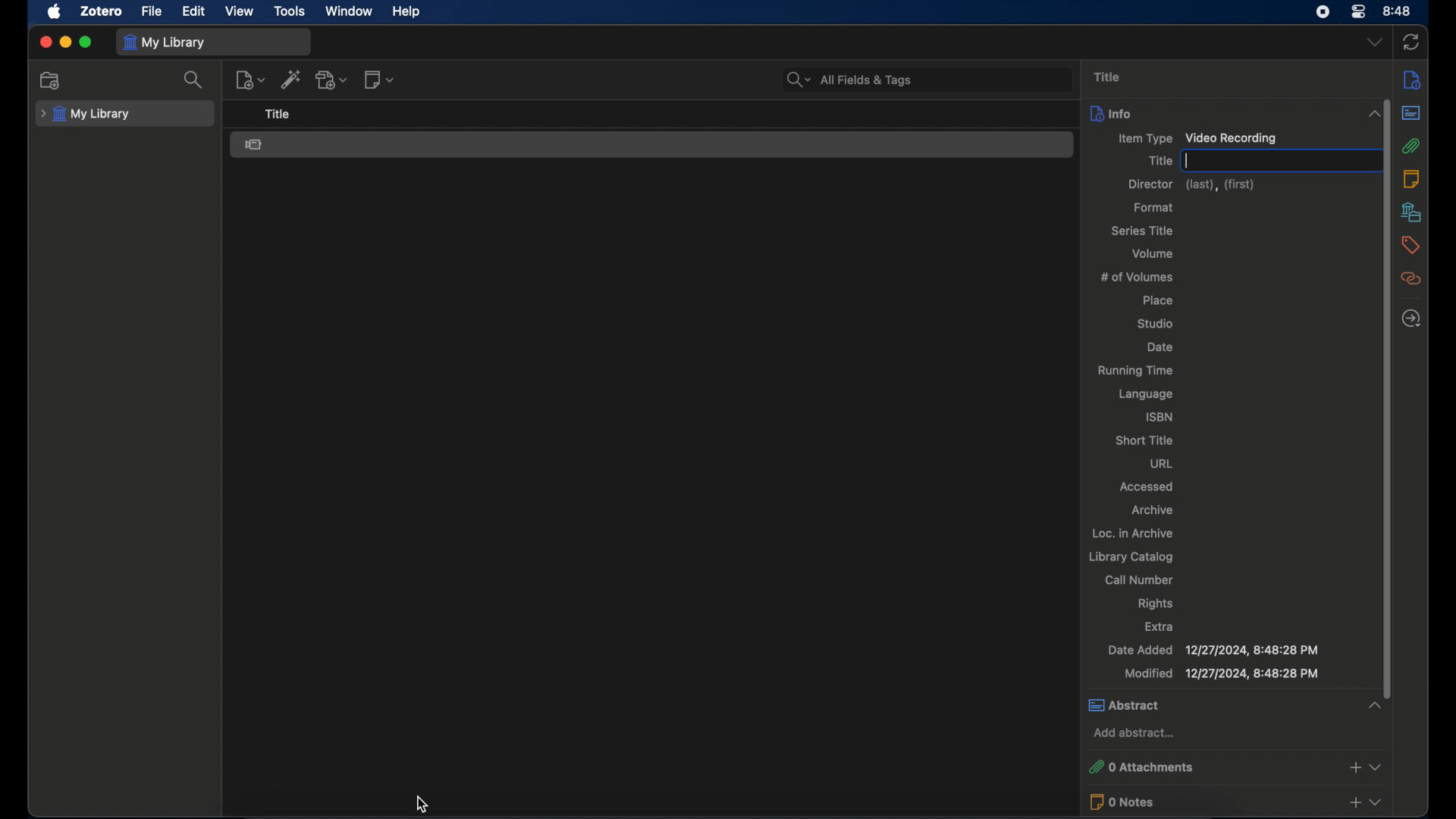 The height and width of the screenshot is (819, 1456). I want to click on text cursor, so click(1276, 161).